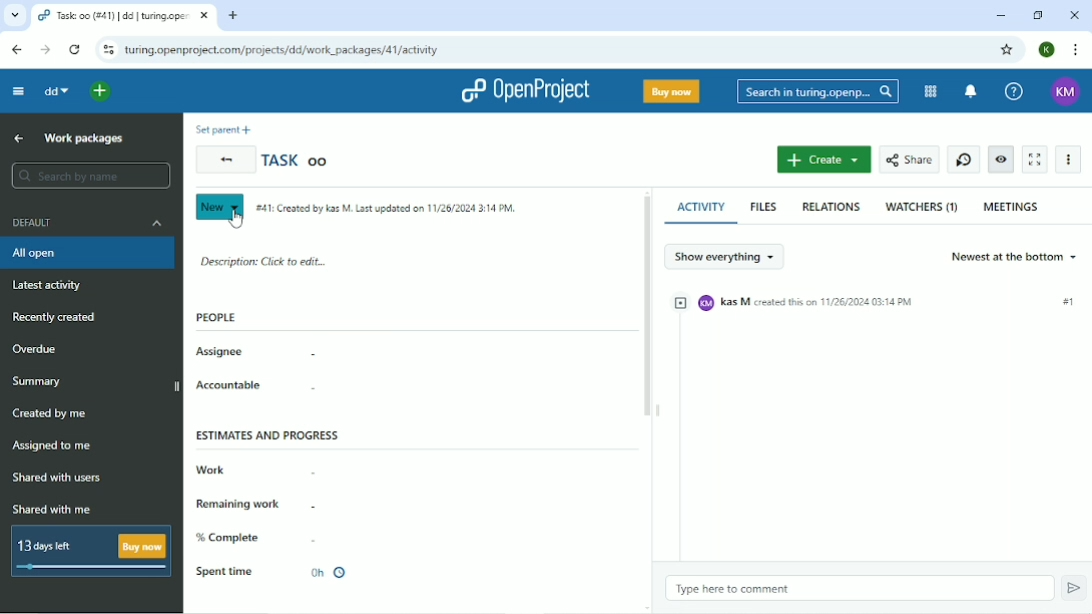 Image resolution: width=1092 pixels, height=614 pixels. I want to click on Back, so click(17, 50).